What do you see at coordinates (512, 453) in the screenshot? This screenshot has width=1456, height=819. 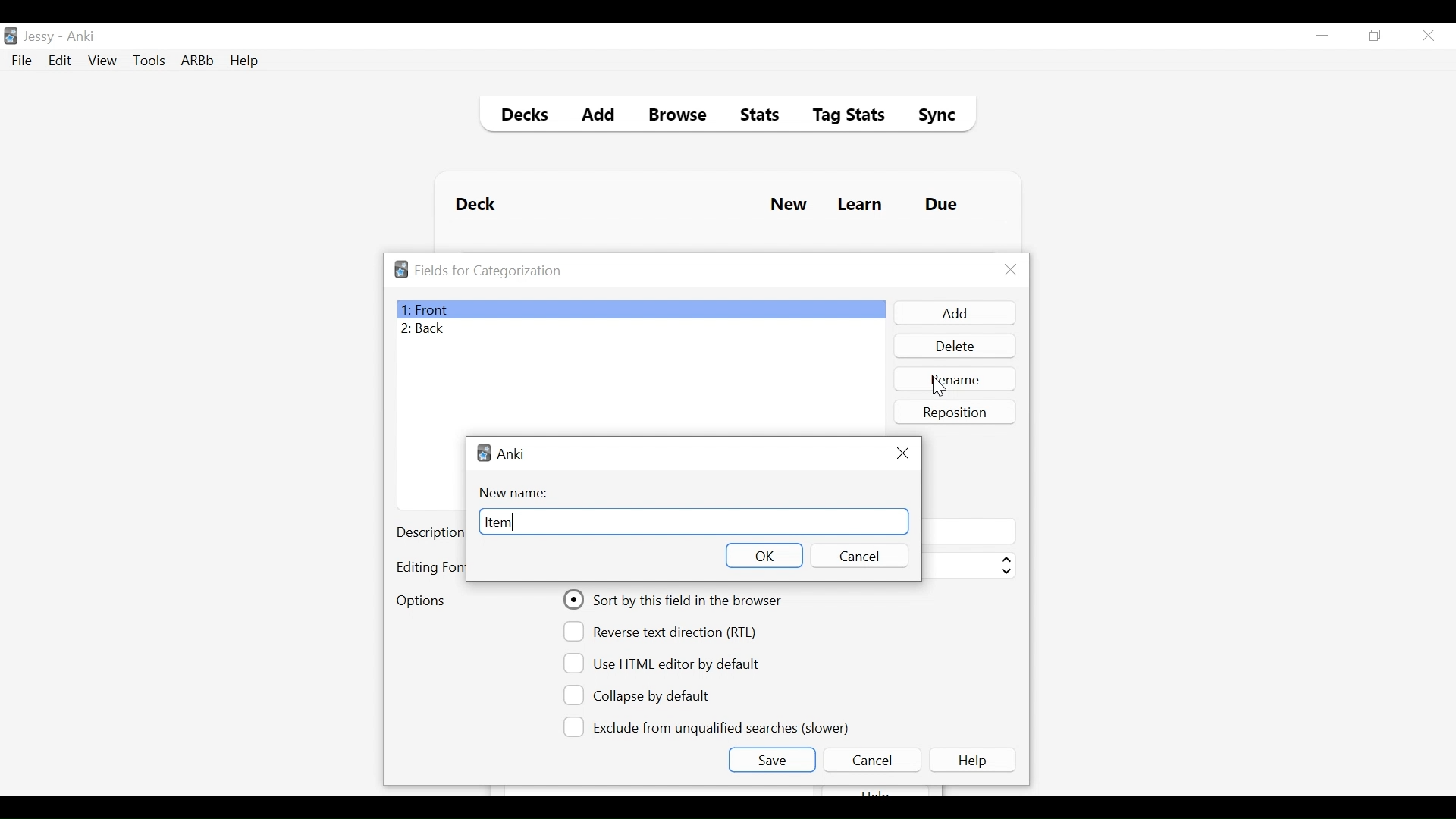 I see `Anki` at bounding box center [512, 453].